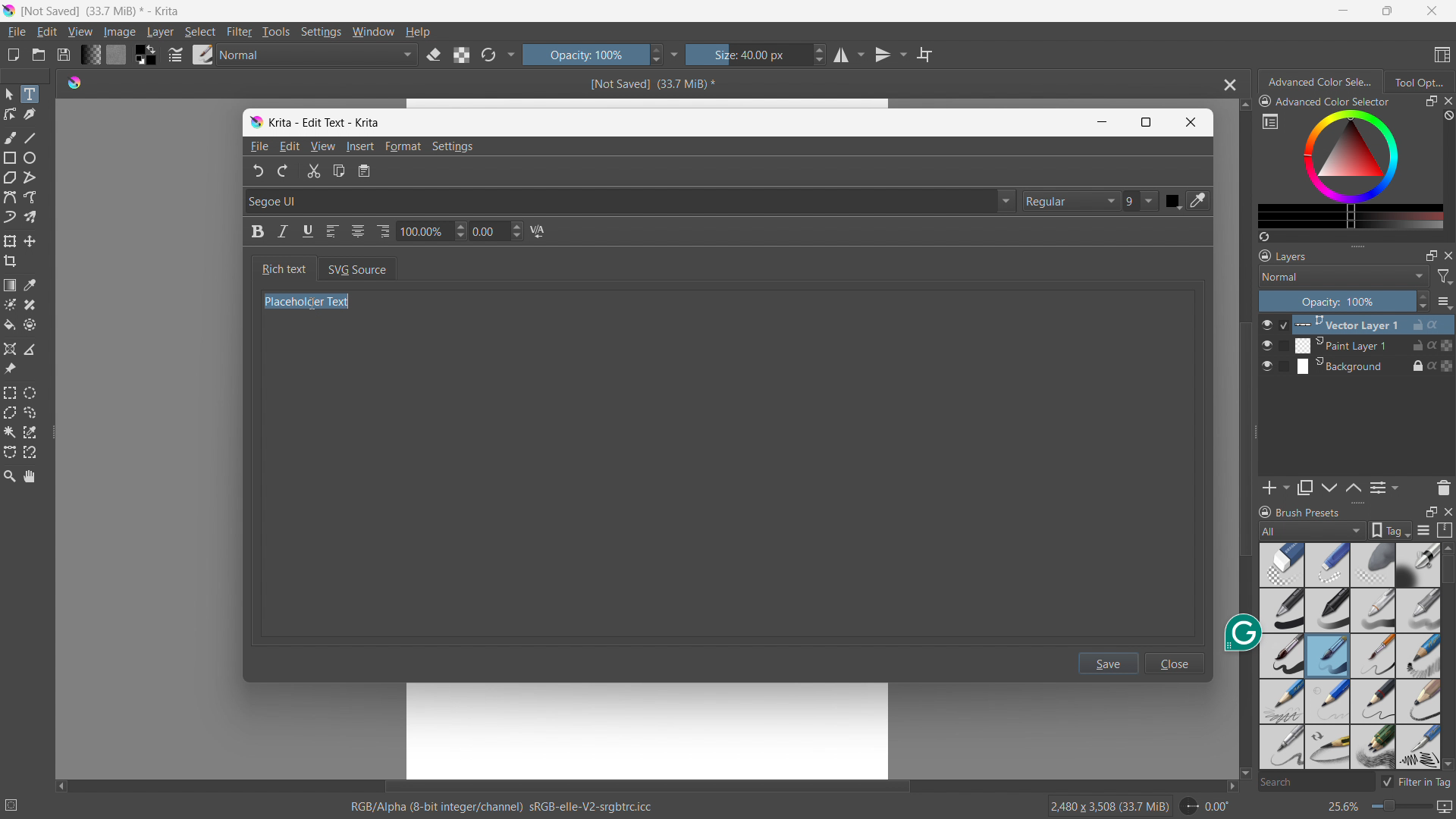 This screenshot has height=819, width=1456. What do you see at coordinates (30, 179) in the screenshot?
I see `polyline tool` at bounding box center [30, 179].